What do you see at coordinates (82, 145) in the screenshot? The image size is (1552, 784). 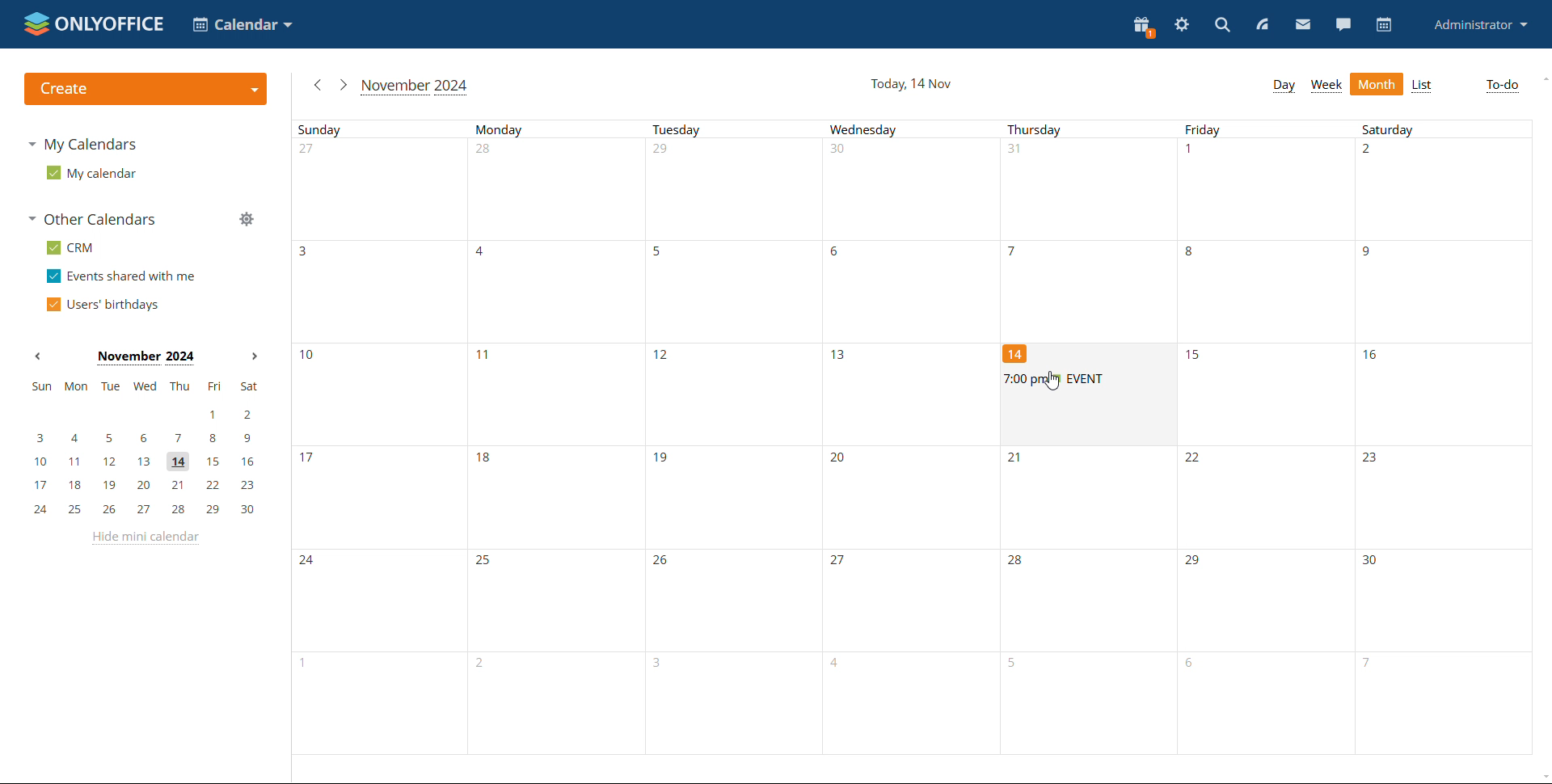 I see `my calendars` at bounding box center [82, 145].